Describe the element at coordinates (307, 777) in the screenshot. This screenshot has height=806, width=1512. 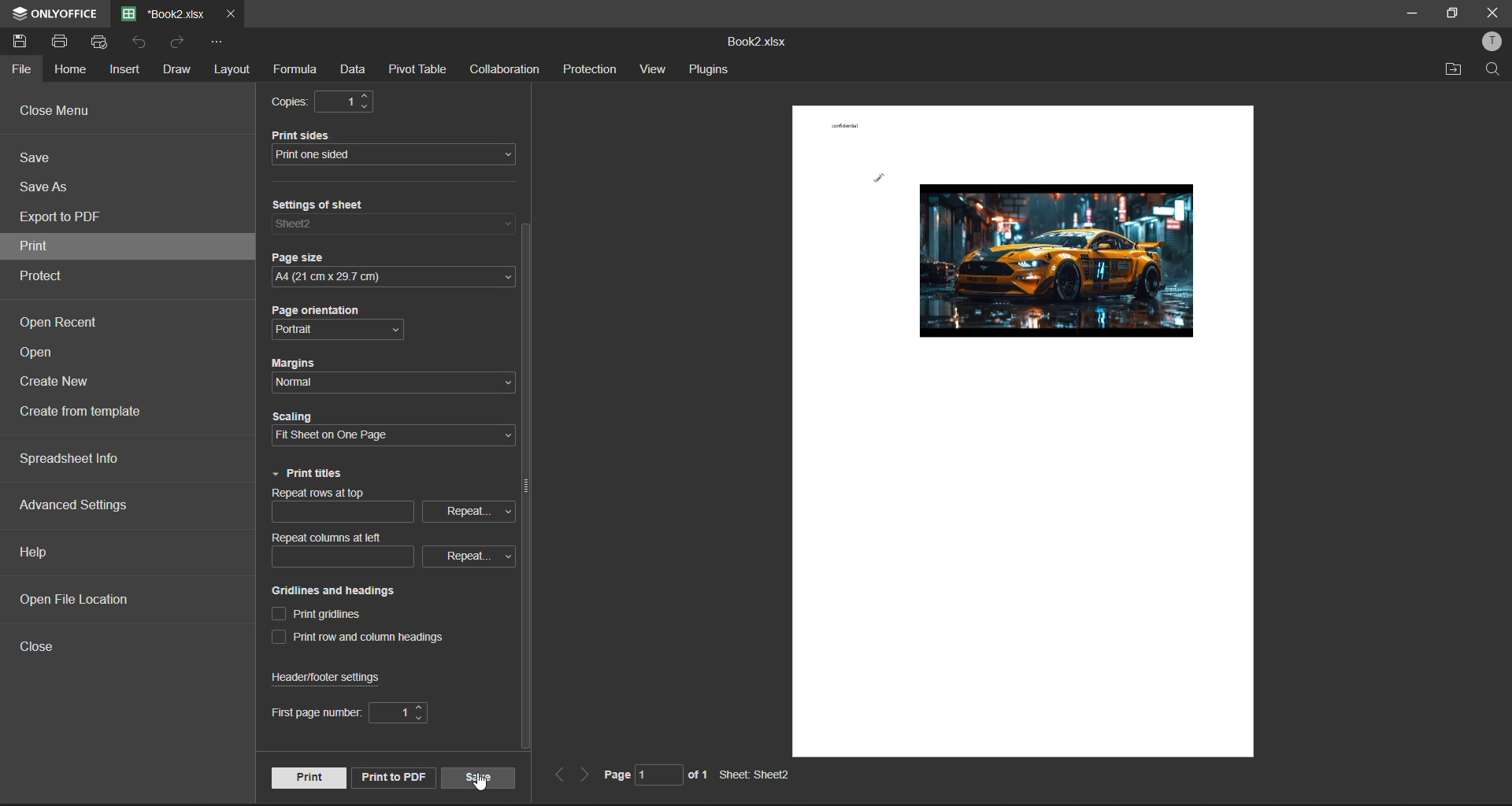
I see `print` at that location.